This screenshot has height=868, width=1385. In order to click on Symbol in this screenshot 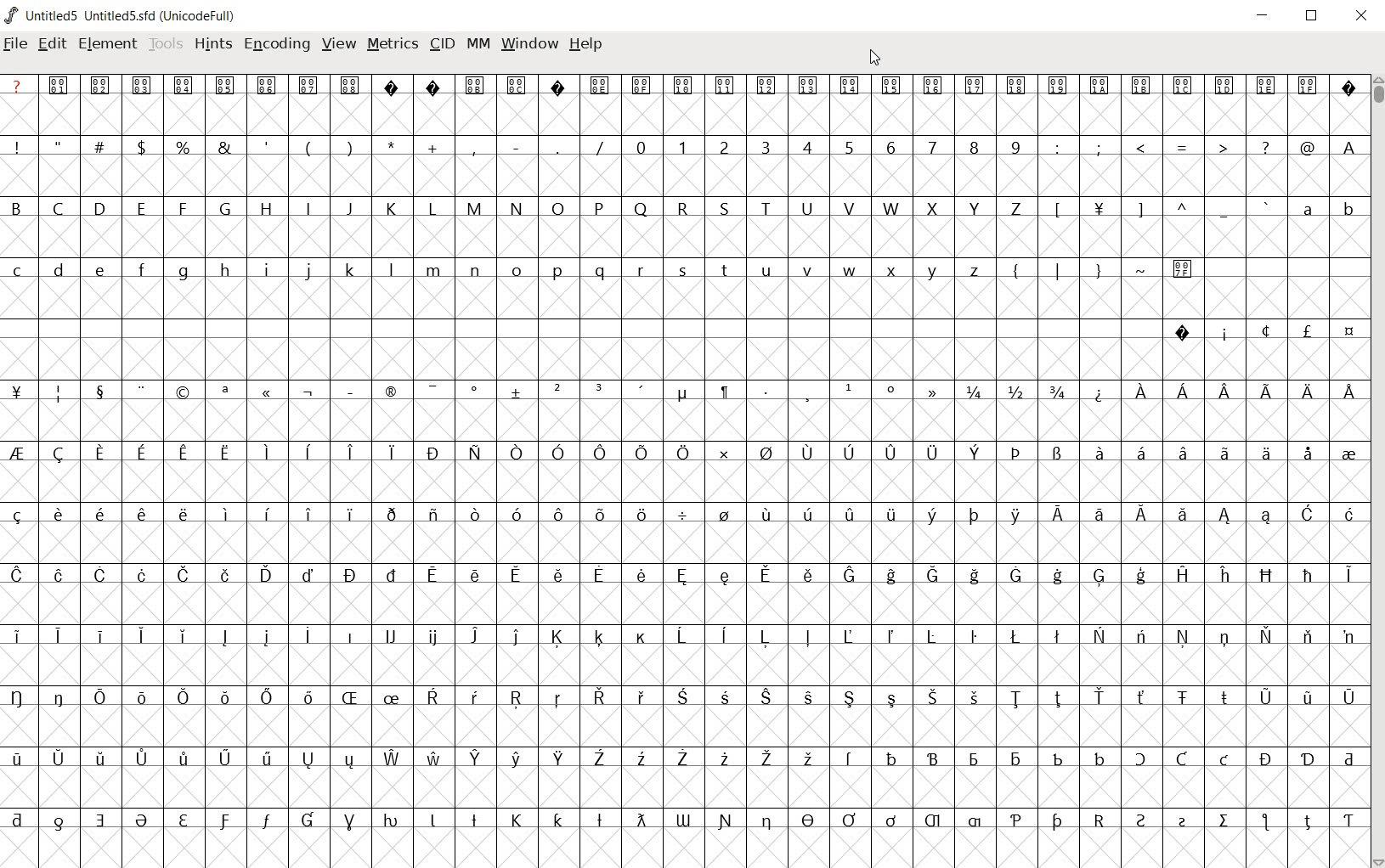, I will do `click(1309, 759)`.